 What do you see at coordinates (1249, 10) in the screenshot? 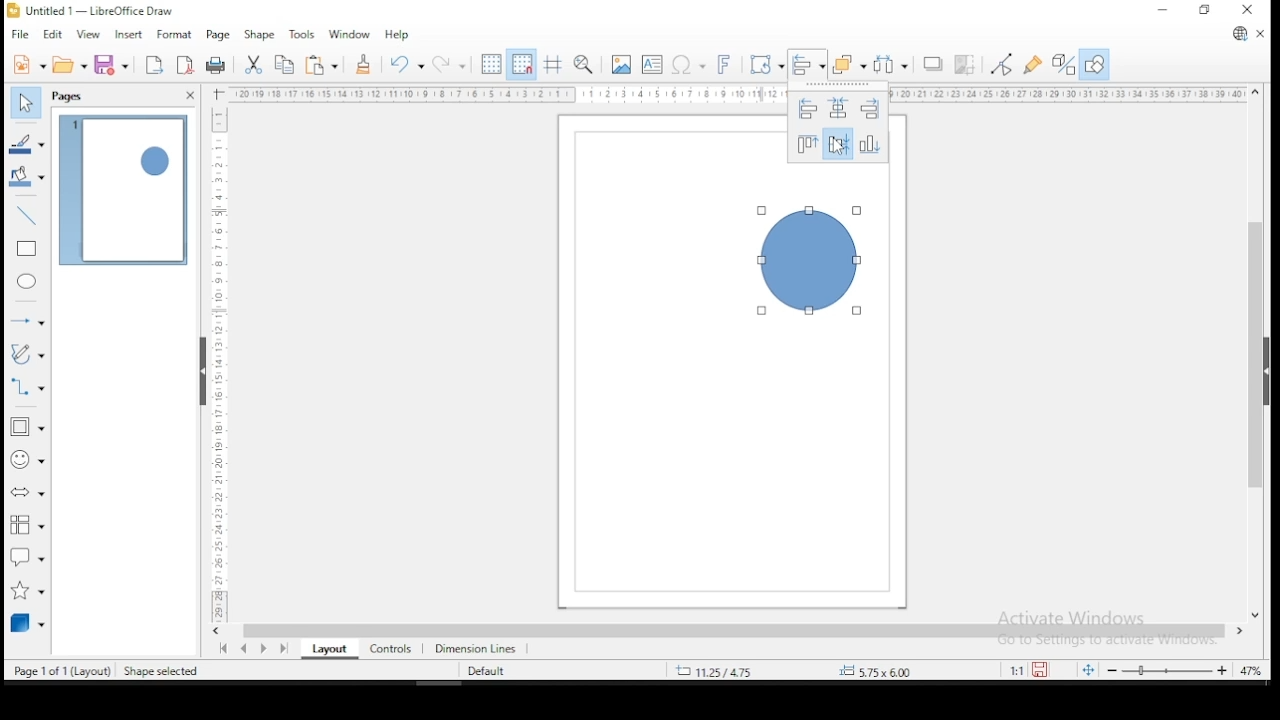
I see `close window` at bounding box center [1249, 10].